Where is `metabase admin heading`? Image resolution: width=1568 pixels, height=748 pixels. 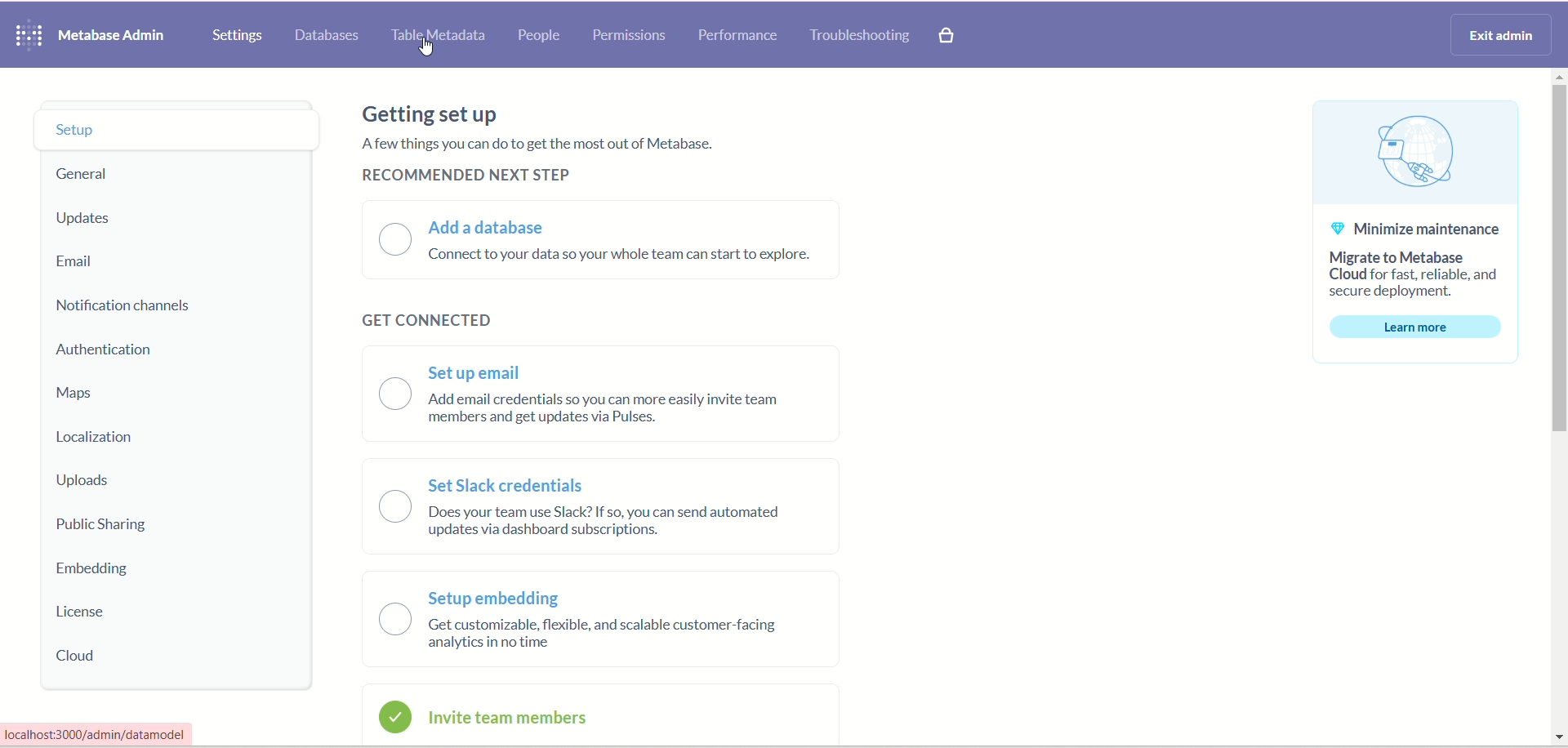 metabase admin heading is located at coordinates (111, 35).